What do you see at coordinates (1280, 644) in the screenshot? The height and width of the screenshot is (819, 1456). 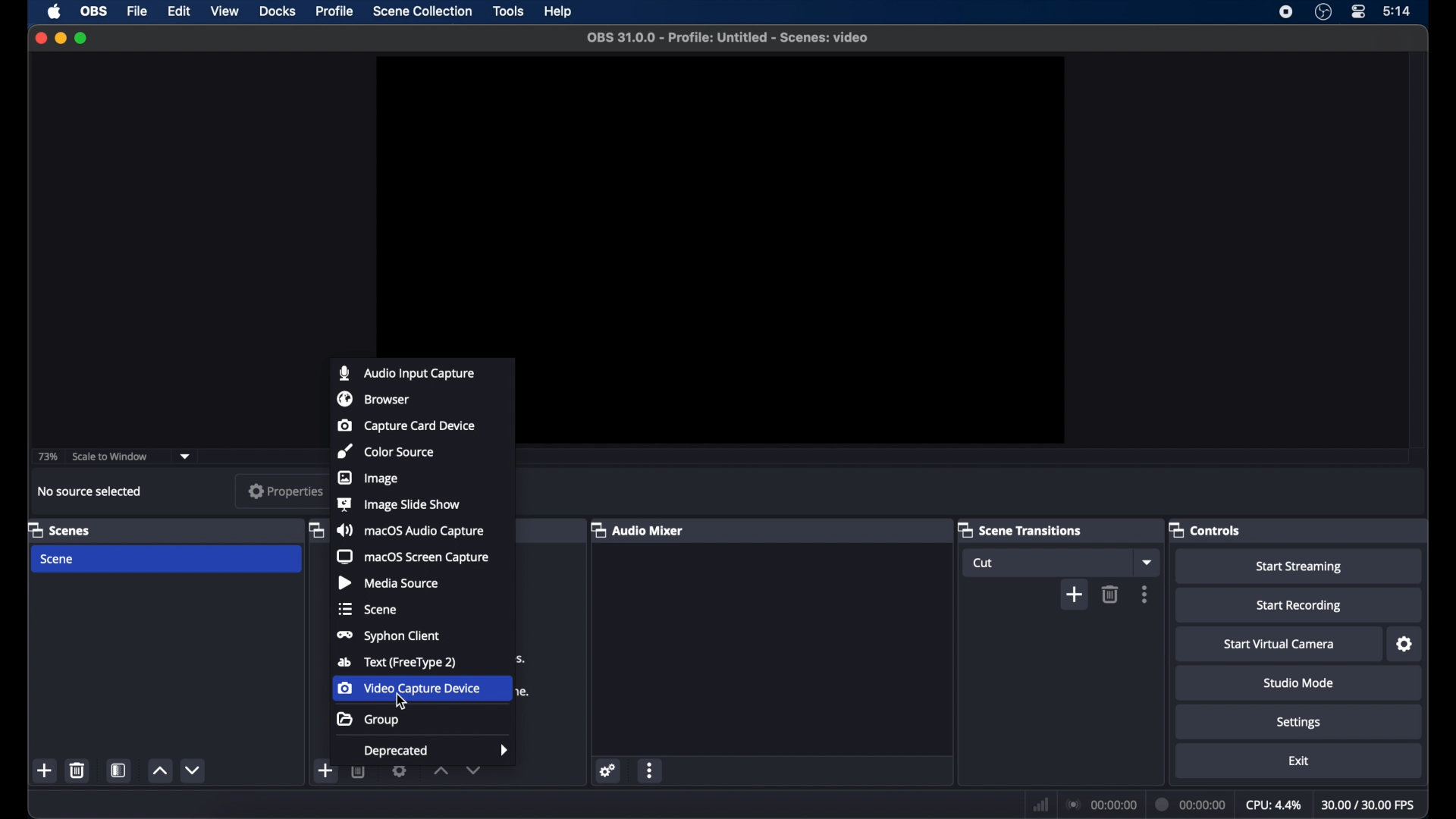 I see `start virtual camera` at bounding box center [1280, 644].